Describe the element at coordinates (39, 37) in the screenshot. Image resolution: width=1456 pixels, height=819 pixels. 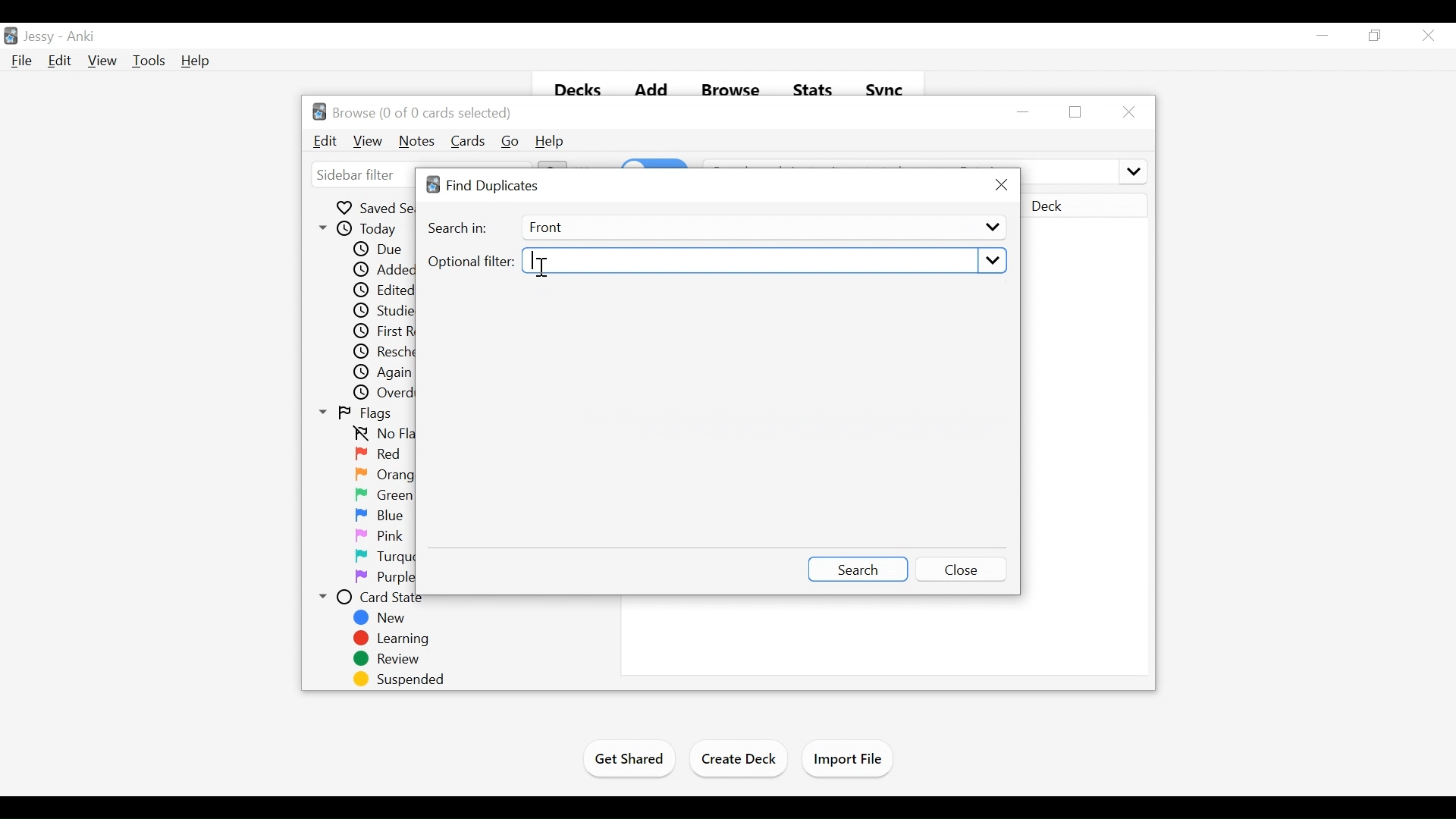
I see `User Profile` at that location.